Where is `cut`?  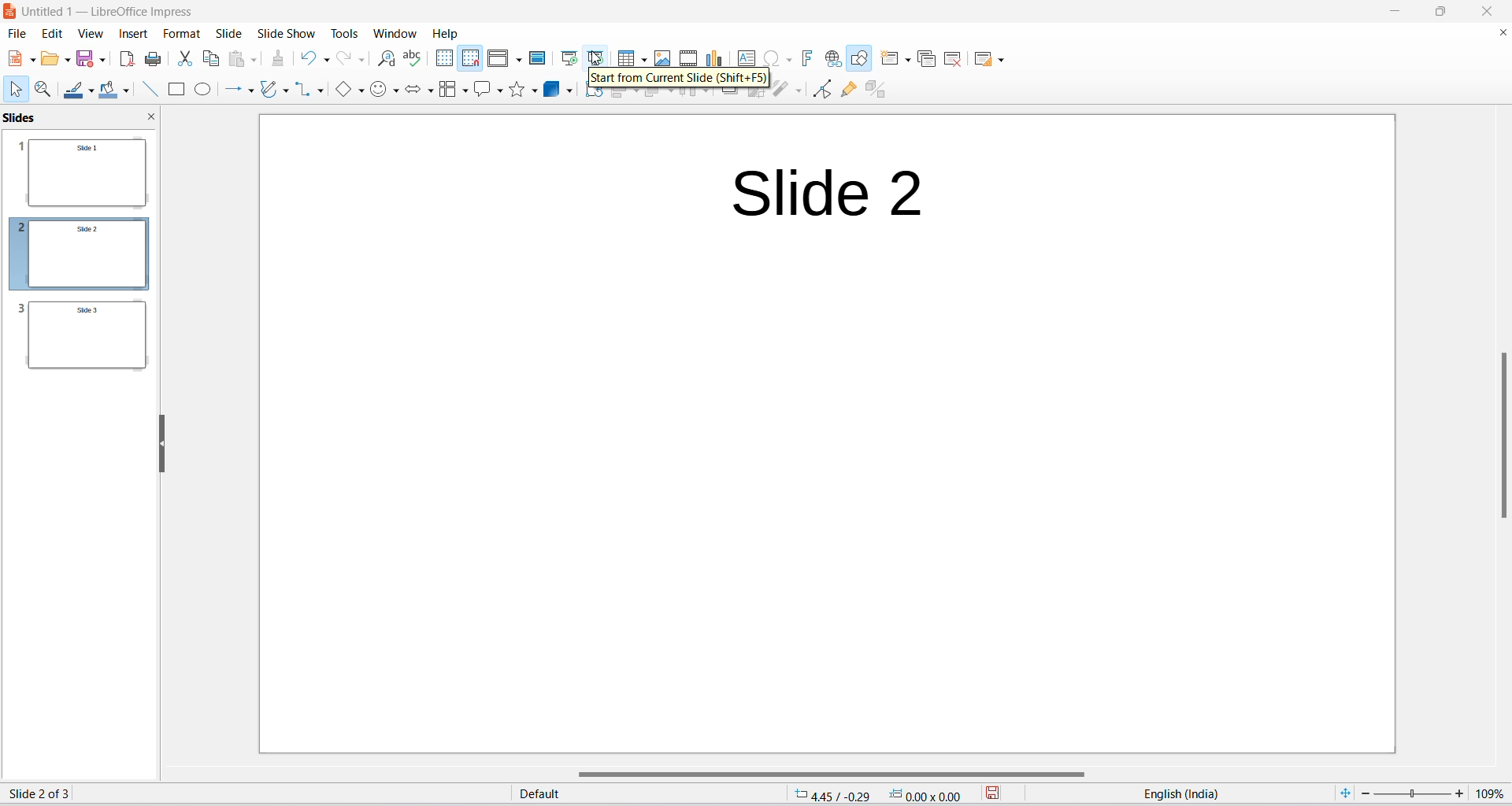 cut is located at coordinates (187, 59).